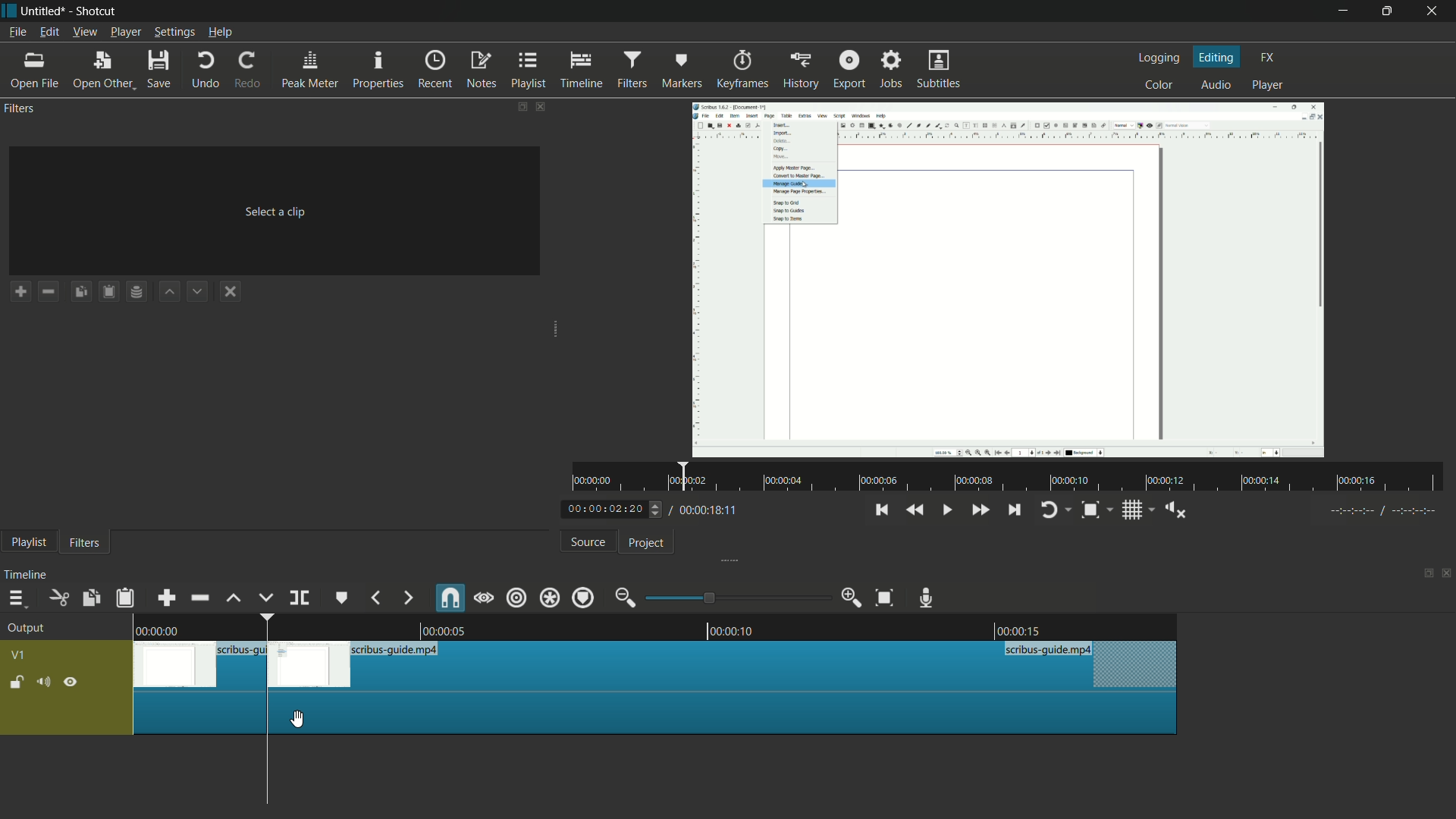  Describe the element at coordinates (624, 597) in the screenshot. I see `zoom out` at that location.